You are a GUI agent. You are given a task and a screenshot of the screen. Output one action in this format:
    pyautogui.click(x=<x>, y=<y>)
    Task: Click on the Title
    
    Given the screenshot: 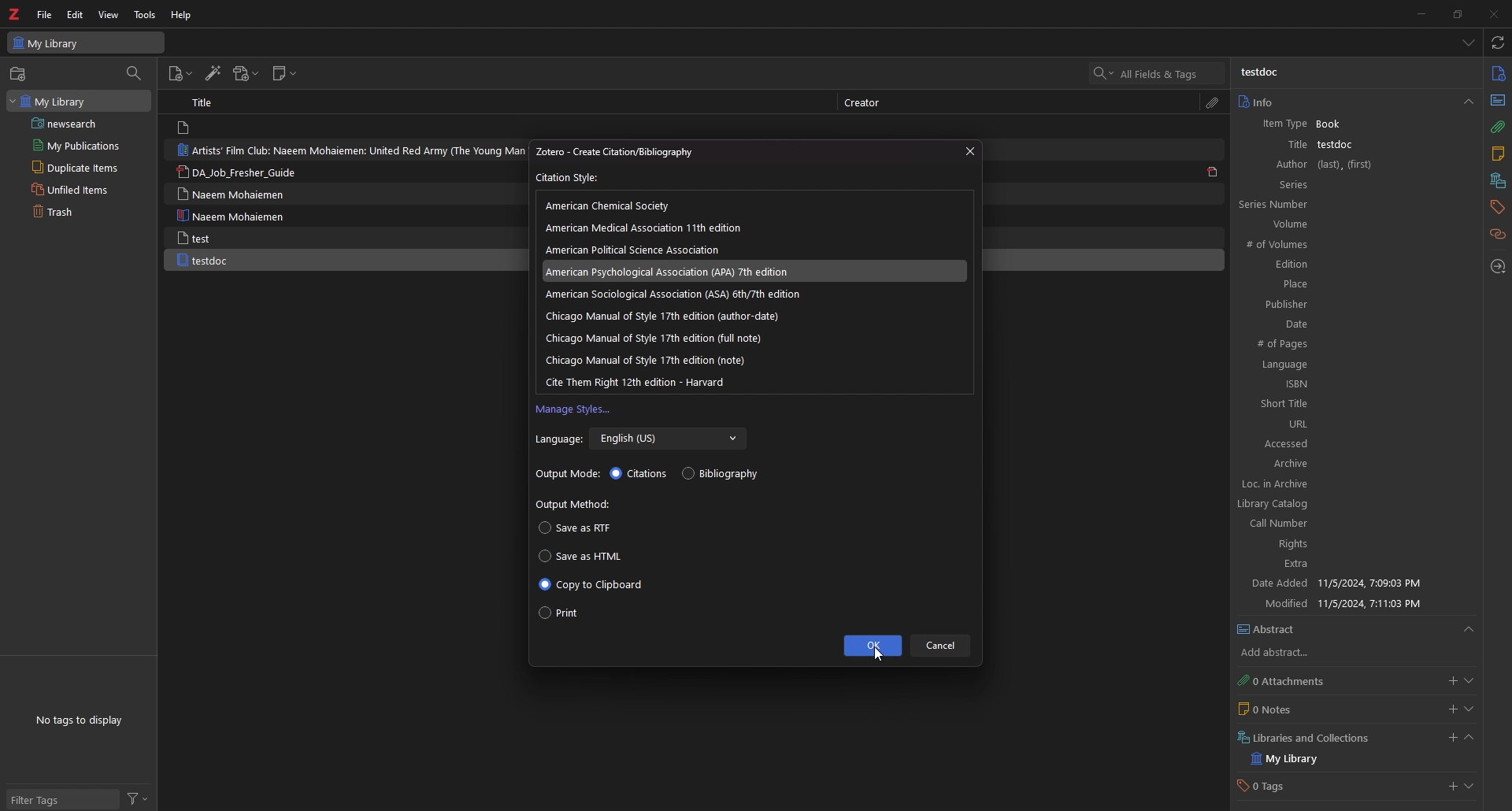 What is the action you would take?
    pyautogui.click(x=206, y=102)
    